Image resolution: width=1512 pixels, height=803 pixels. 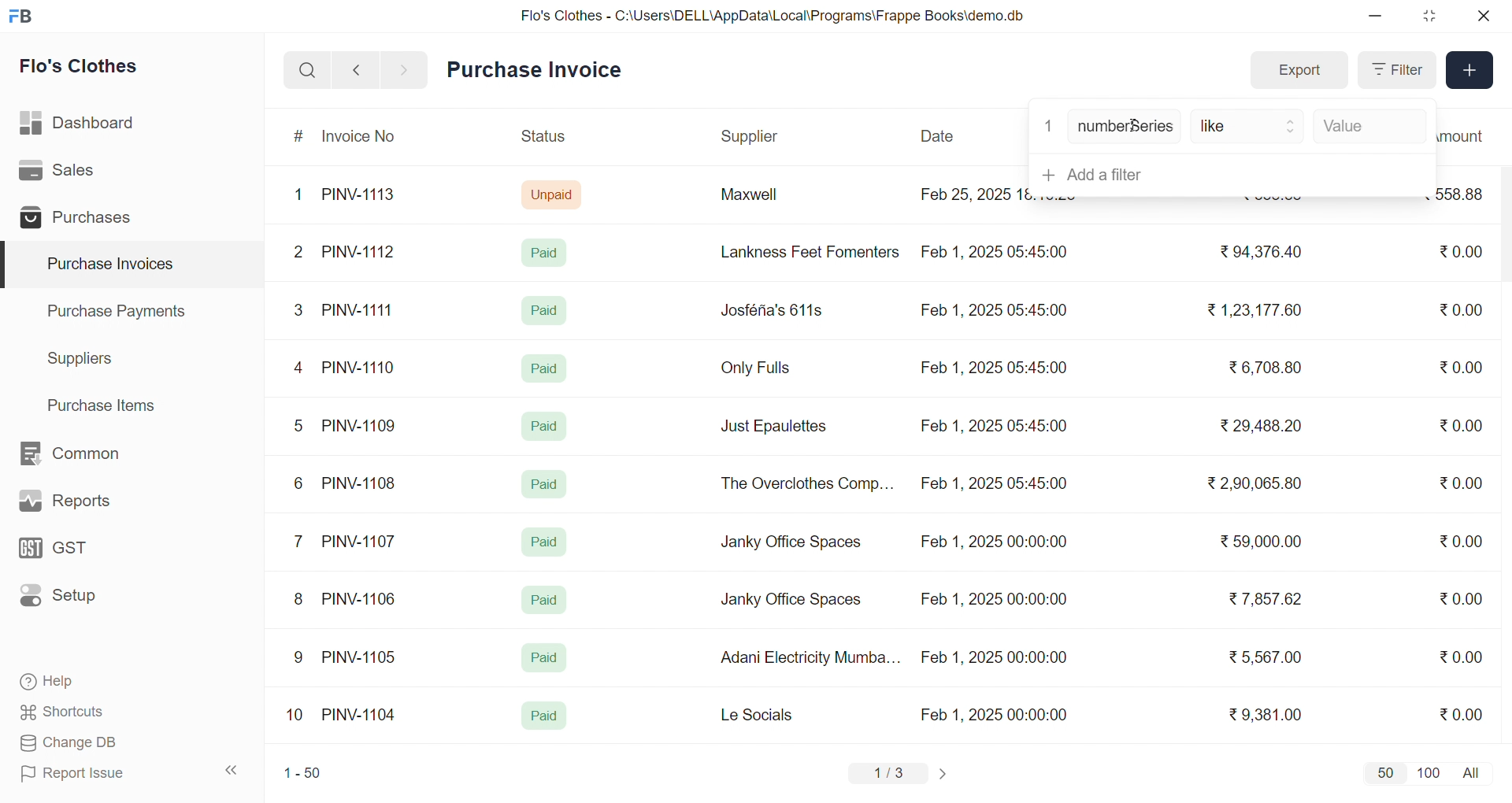 I want to click on Purchase Items, so click(x=107, y=403).